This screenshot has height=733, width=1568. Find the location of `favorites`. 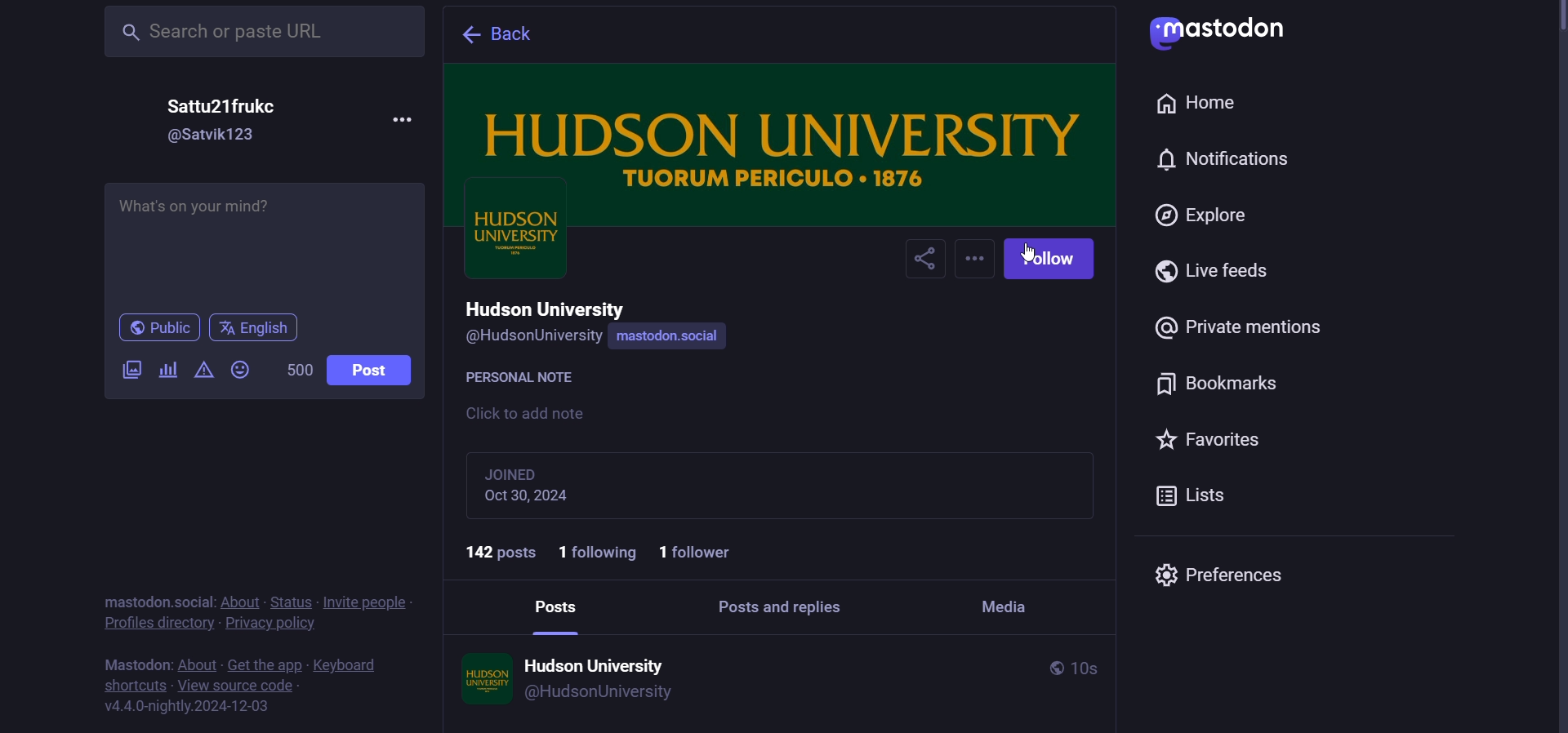

favorites is located at coordinates (1212, 440).